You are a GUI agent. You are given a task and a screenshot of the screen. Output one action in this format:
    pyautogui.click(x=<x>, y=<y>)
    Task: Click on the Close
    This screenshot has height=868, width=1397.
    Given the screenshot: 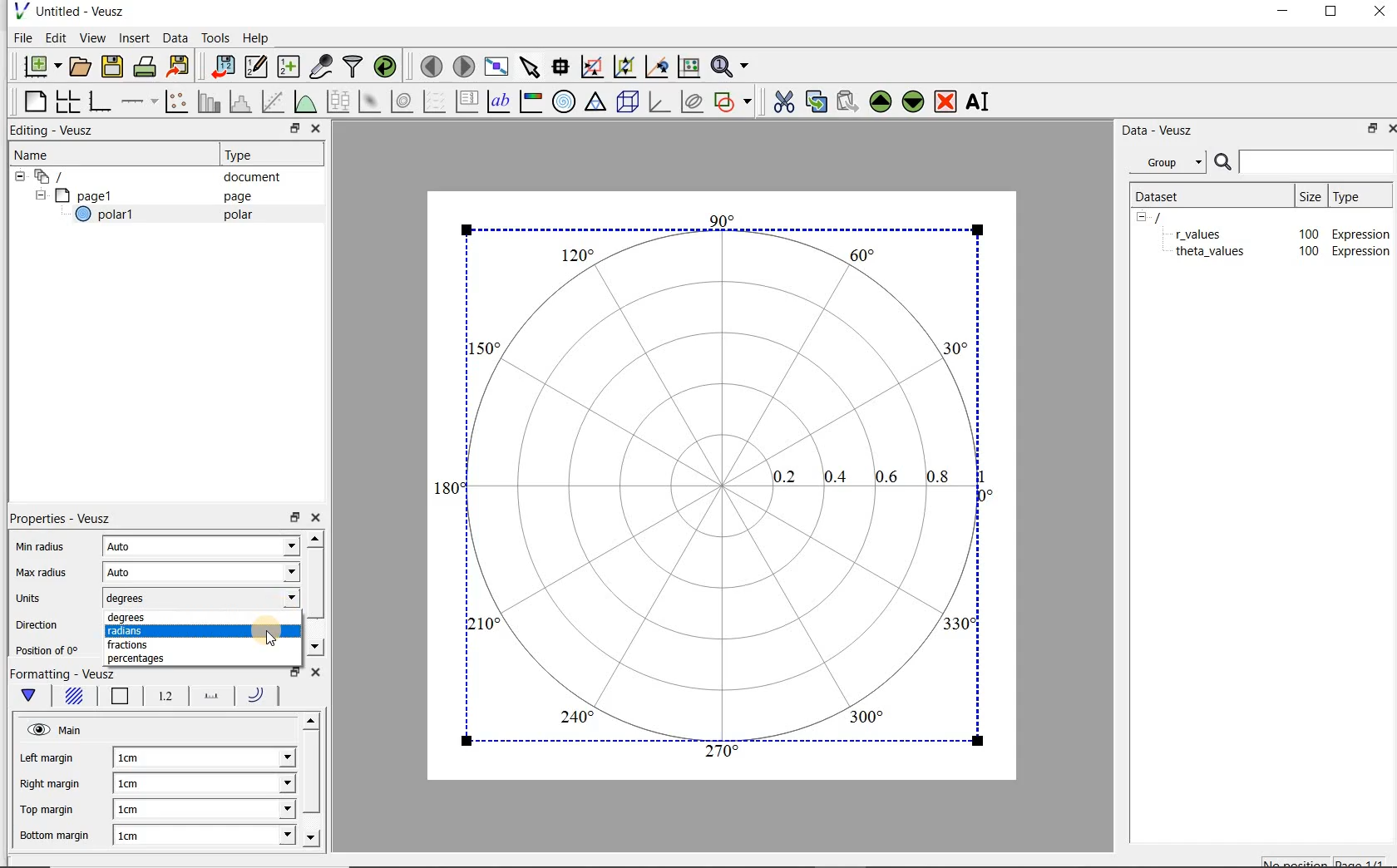 What is the action you would take?
    pyautogui.click(x=1378, y=14)
    